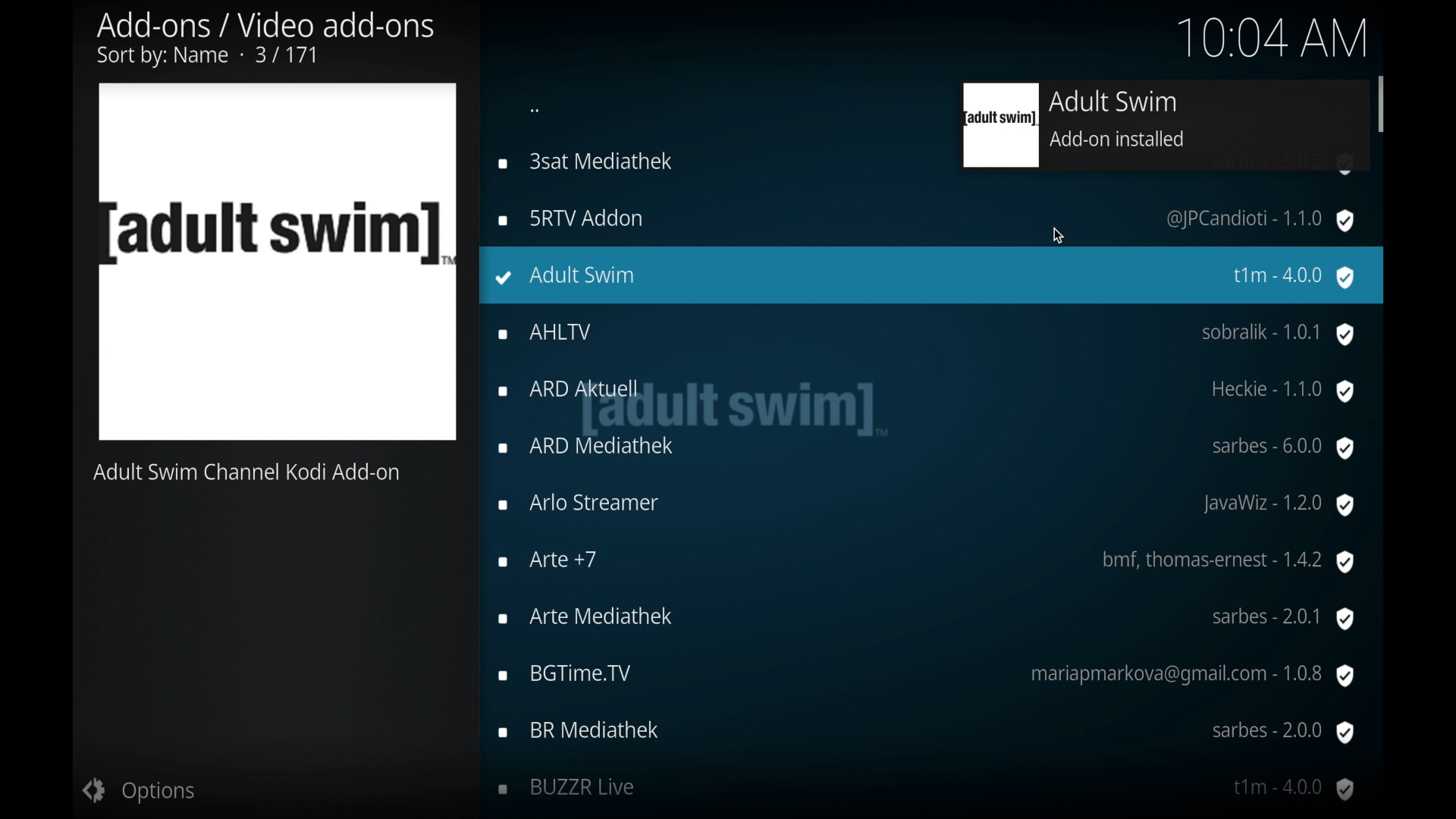 The image size is (1456, 819). Describe the element at coordinates (927, 790) in the screenshot. I see `buzzr live` at that location.